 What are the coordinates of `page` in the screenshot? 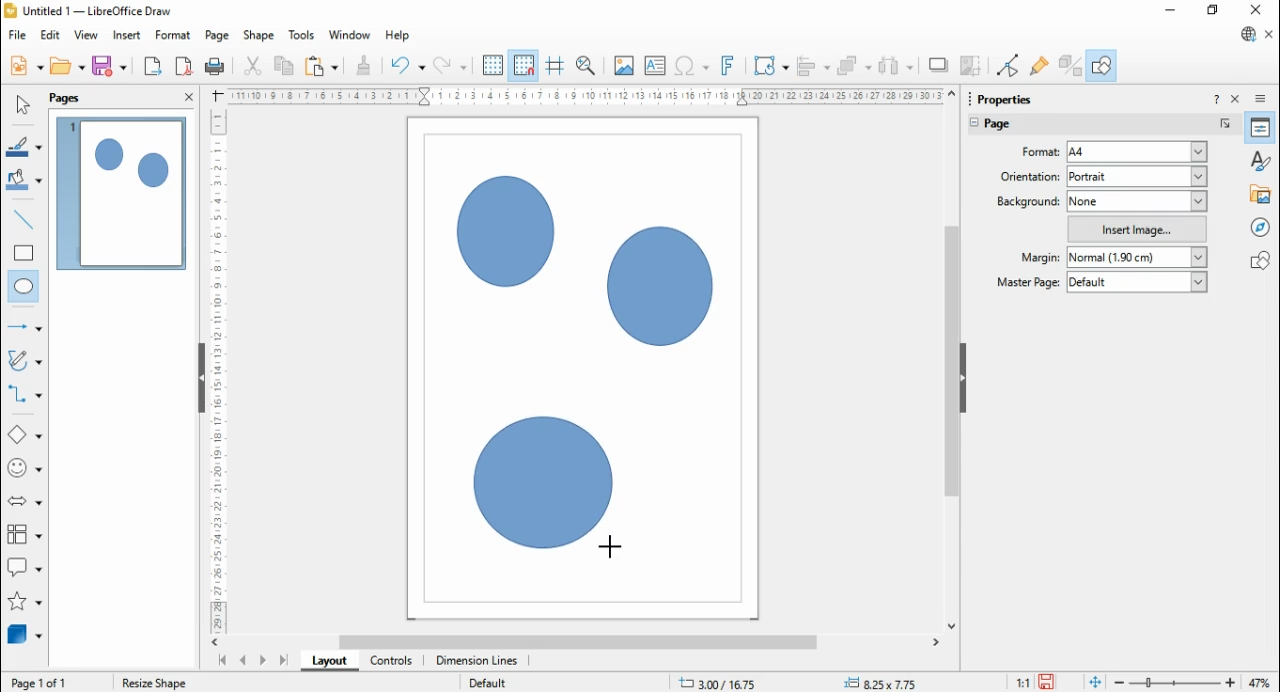 It's located at (218, 36).